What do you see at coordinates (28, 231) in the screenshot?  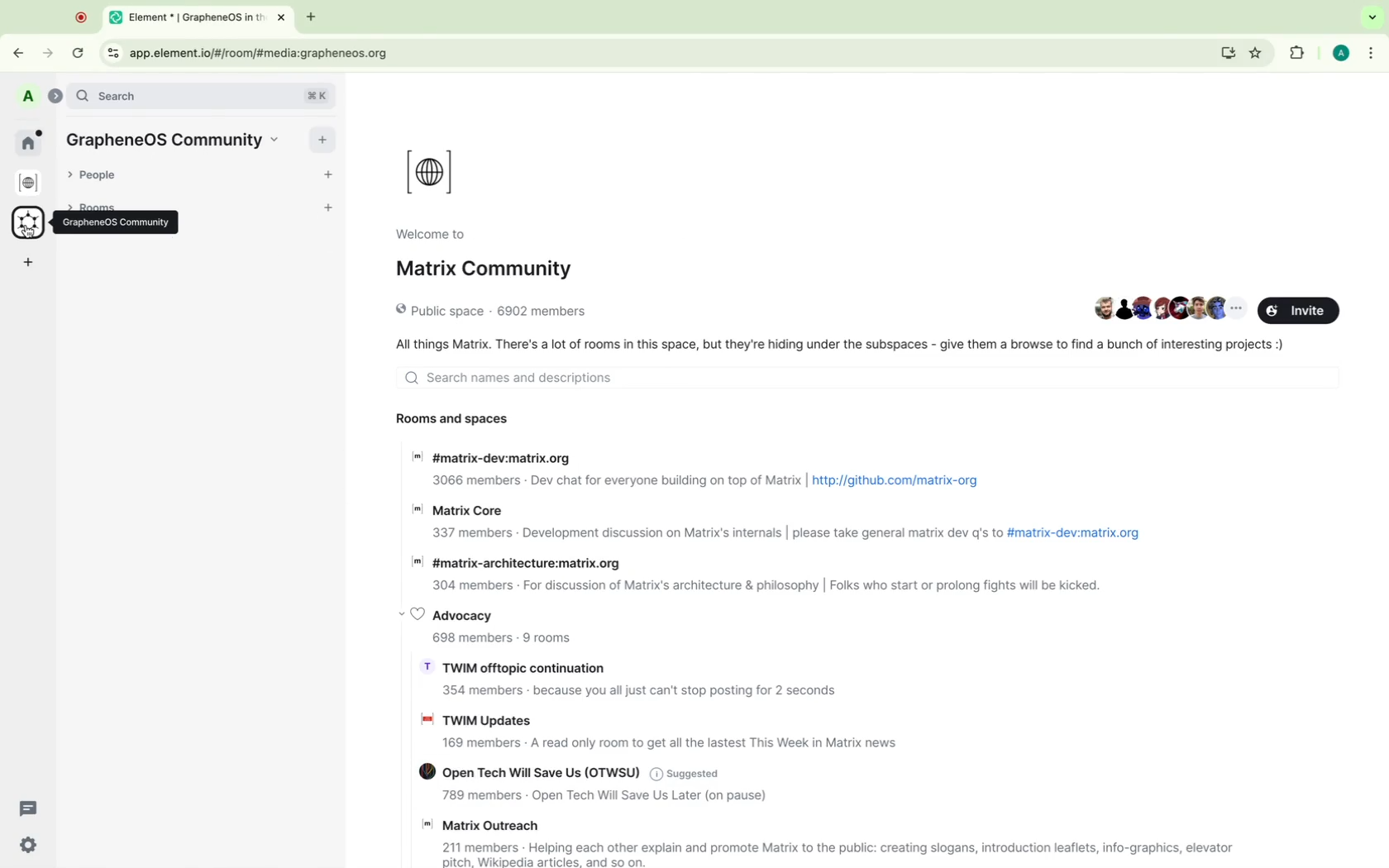 I see `cursor` at bounding box center [28, 231].